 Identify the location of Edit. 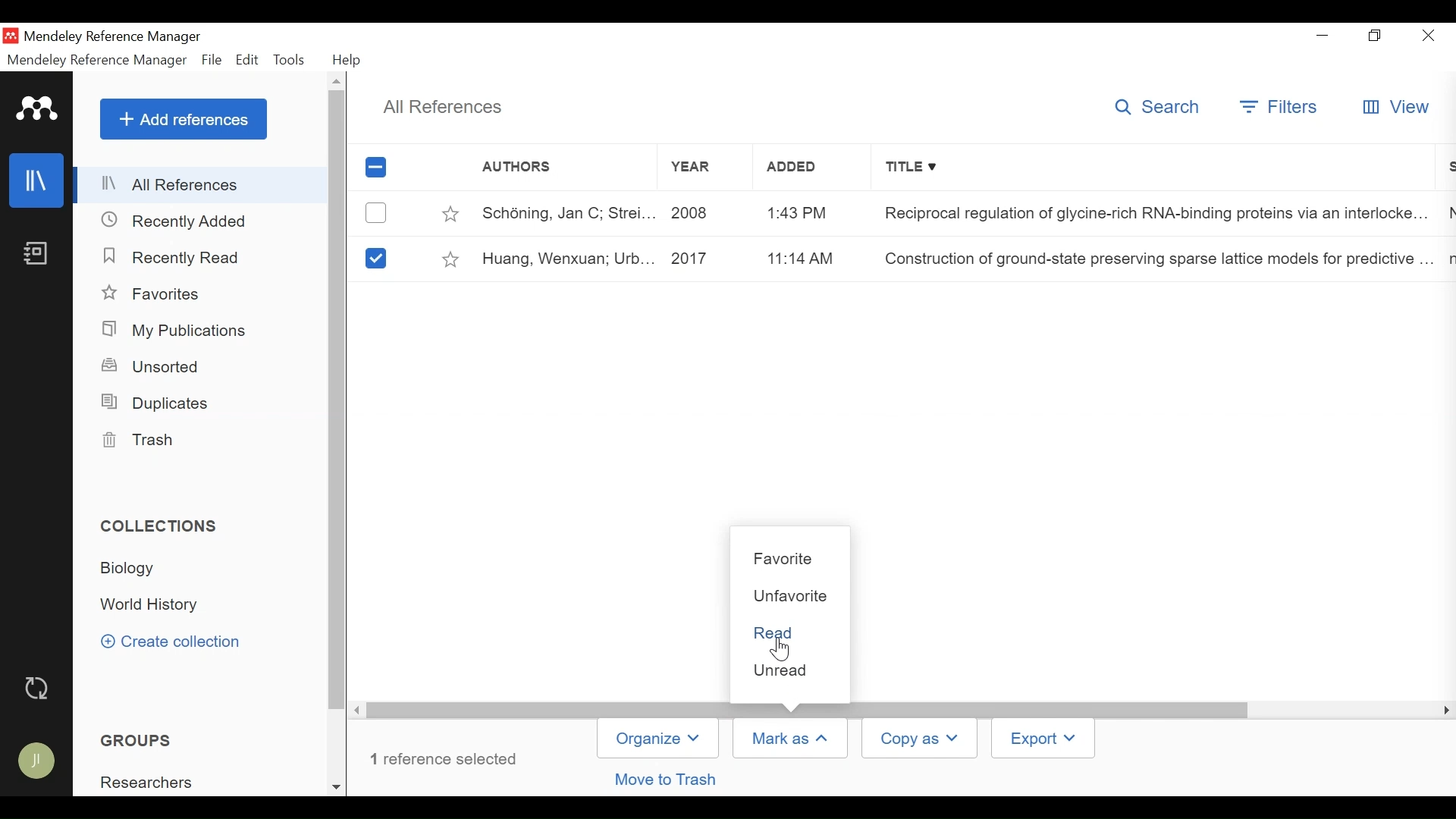
(246, 60).